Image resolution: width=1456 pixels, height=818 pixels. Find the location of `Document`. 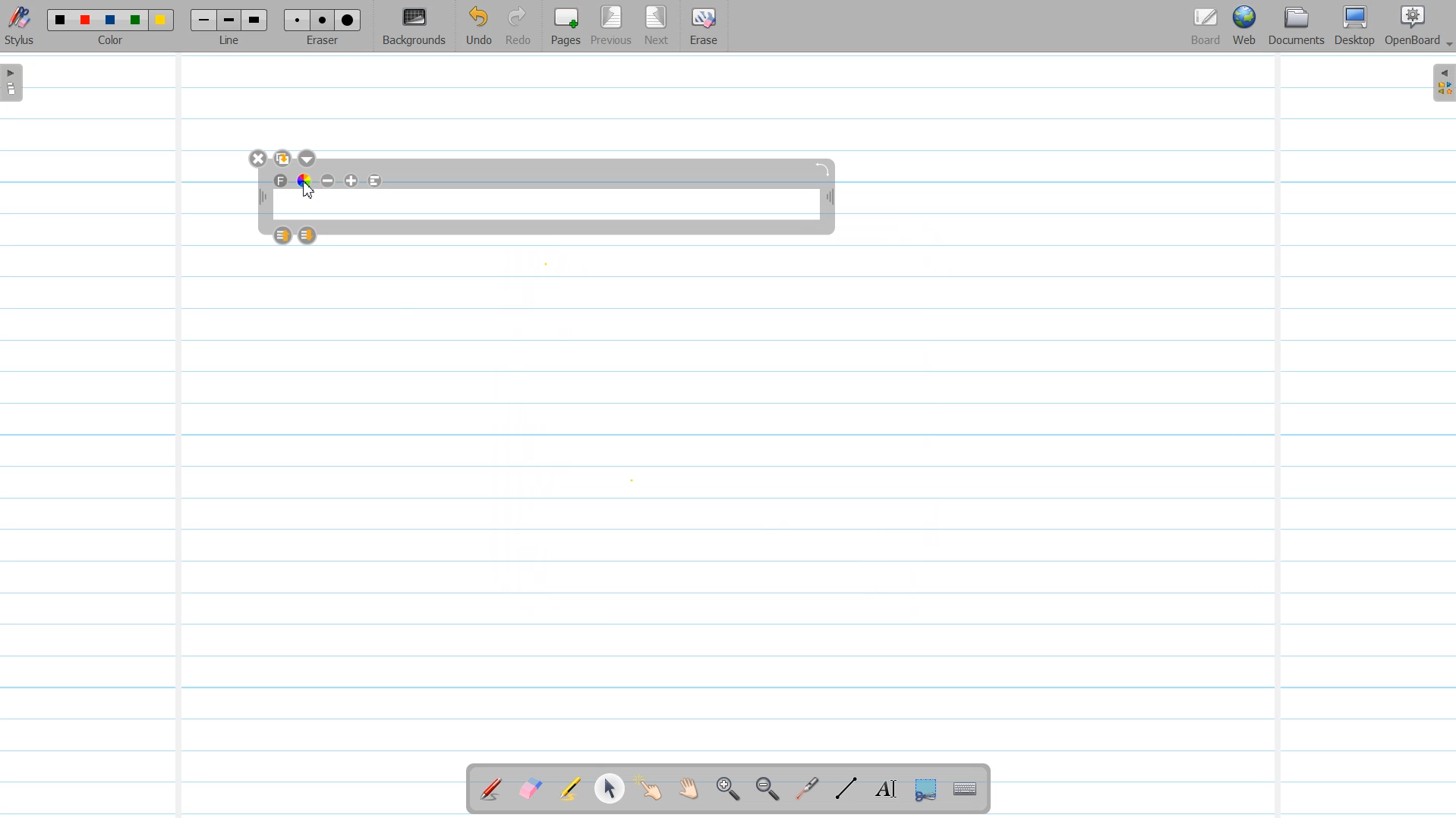

Document is located at coordinates (1298, 26).